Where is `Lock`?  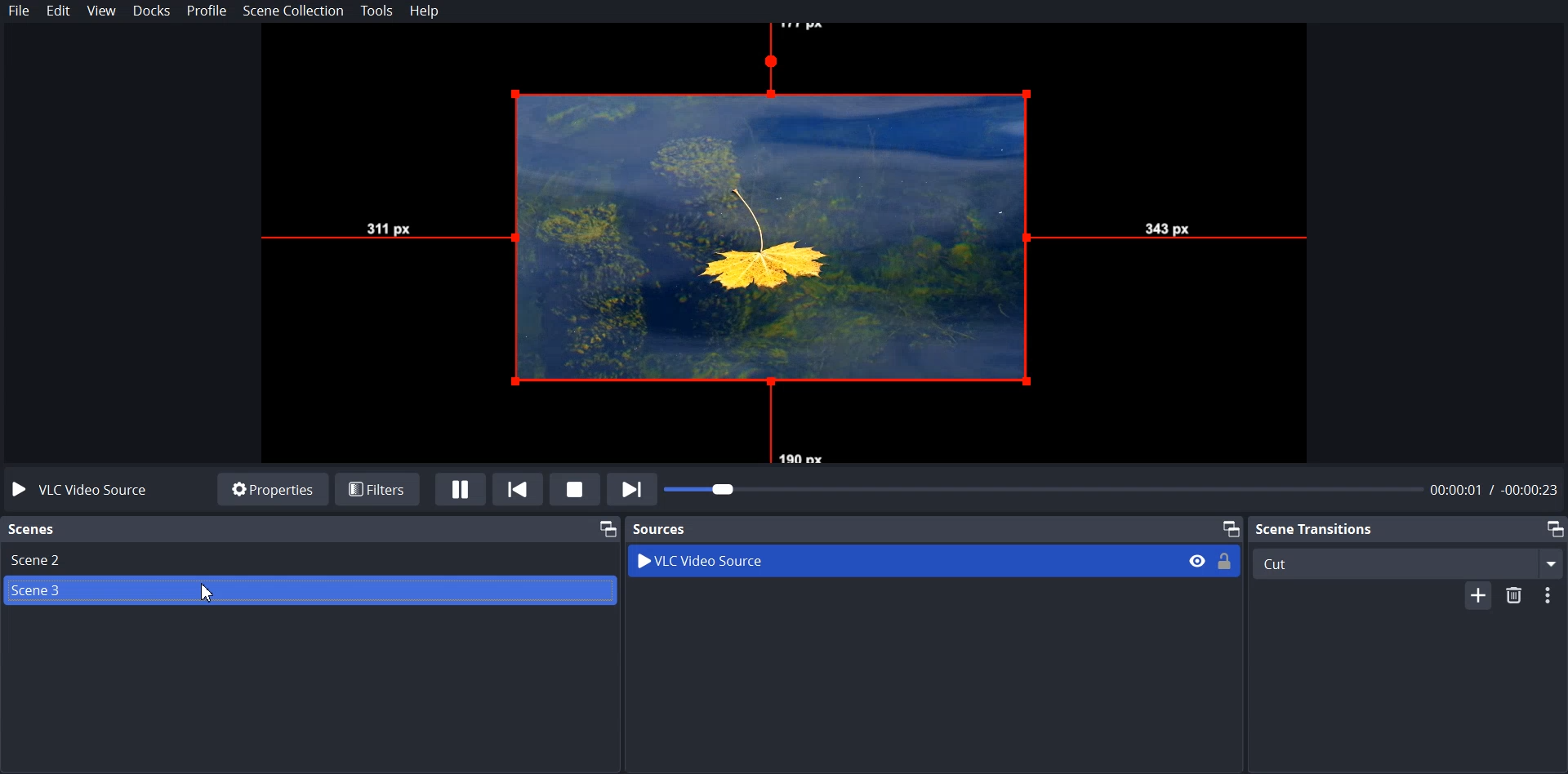
Lock is located at coordinates (1226, 560).